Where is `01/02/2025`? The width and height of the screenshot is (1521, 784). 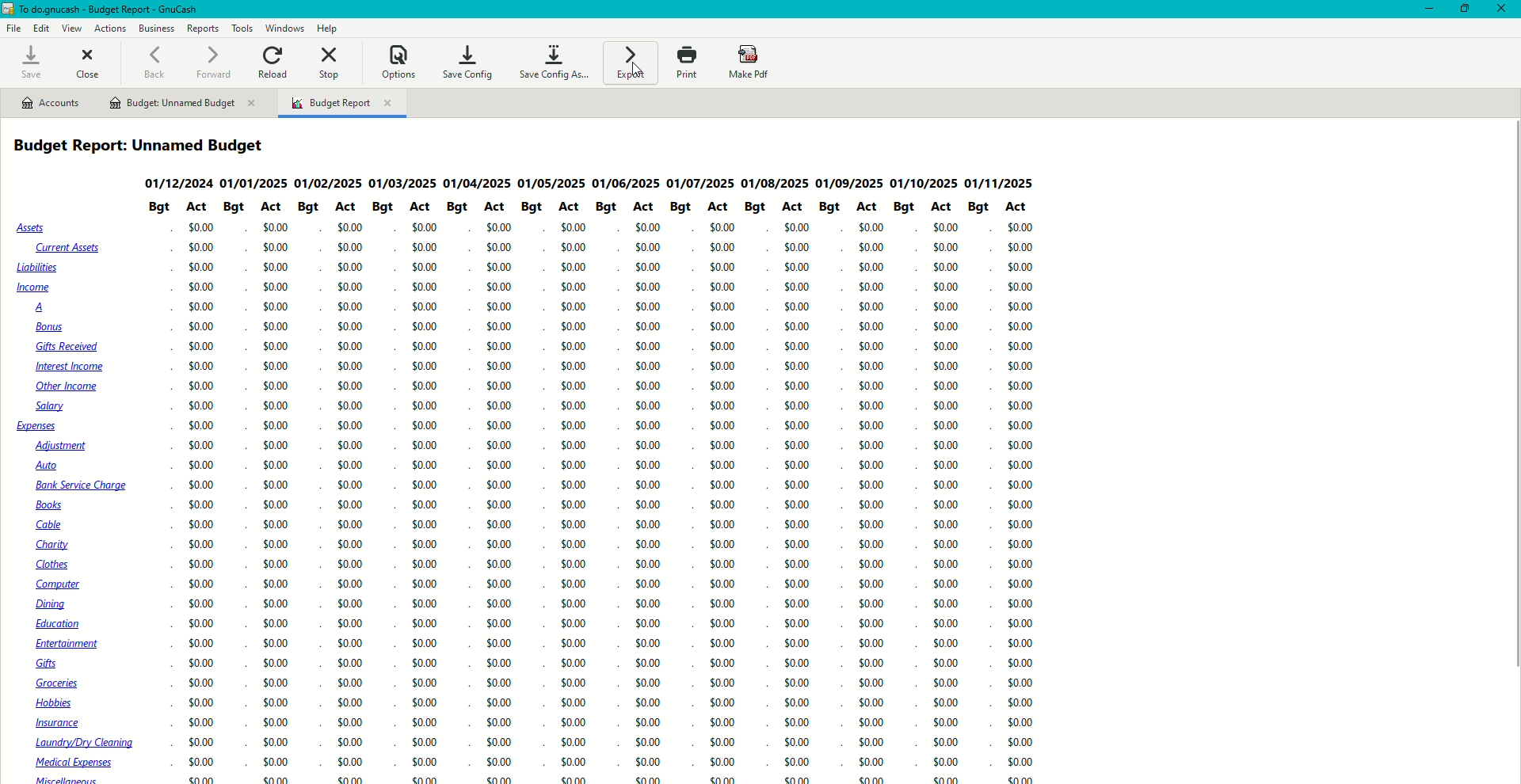 01/02/2025 is located at coordinates (327, 185).